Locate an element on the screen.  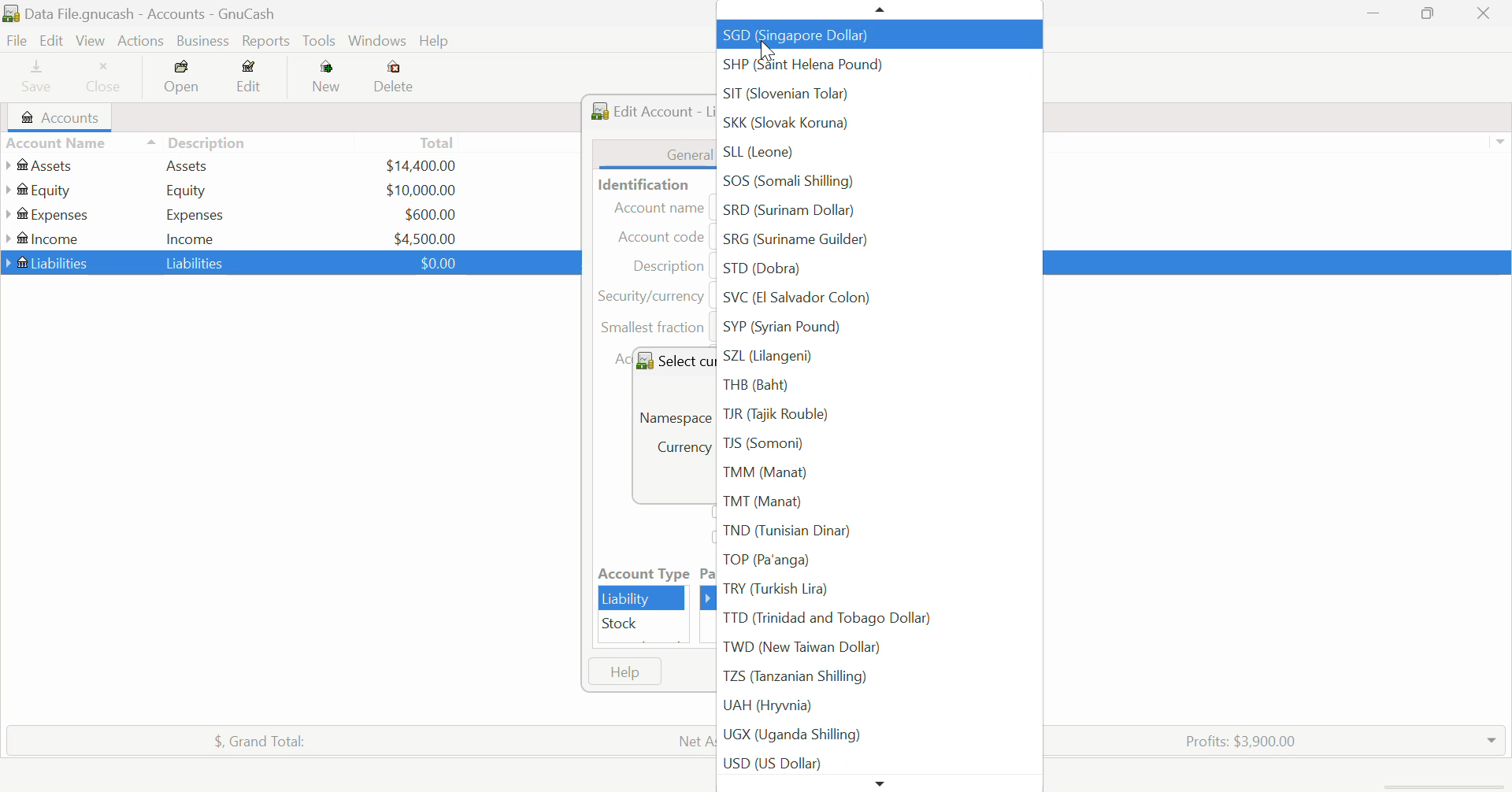
New is located at coordinates (328, 80).